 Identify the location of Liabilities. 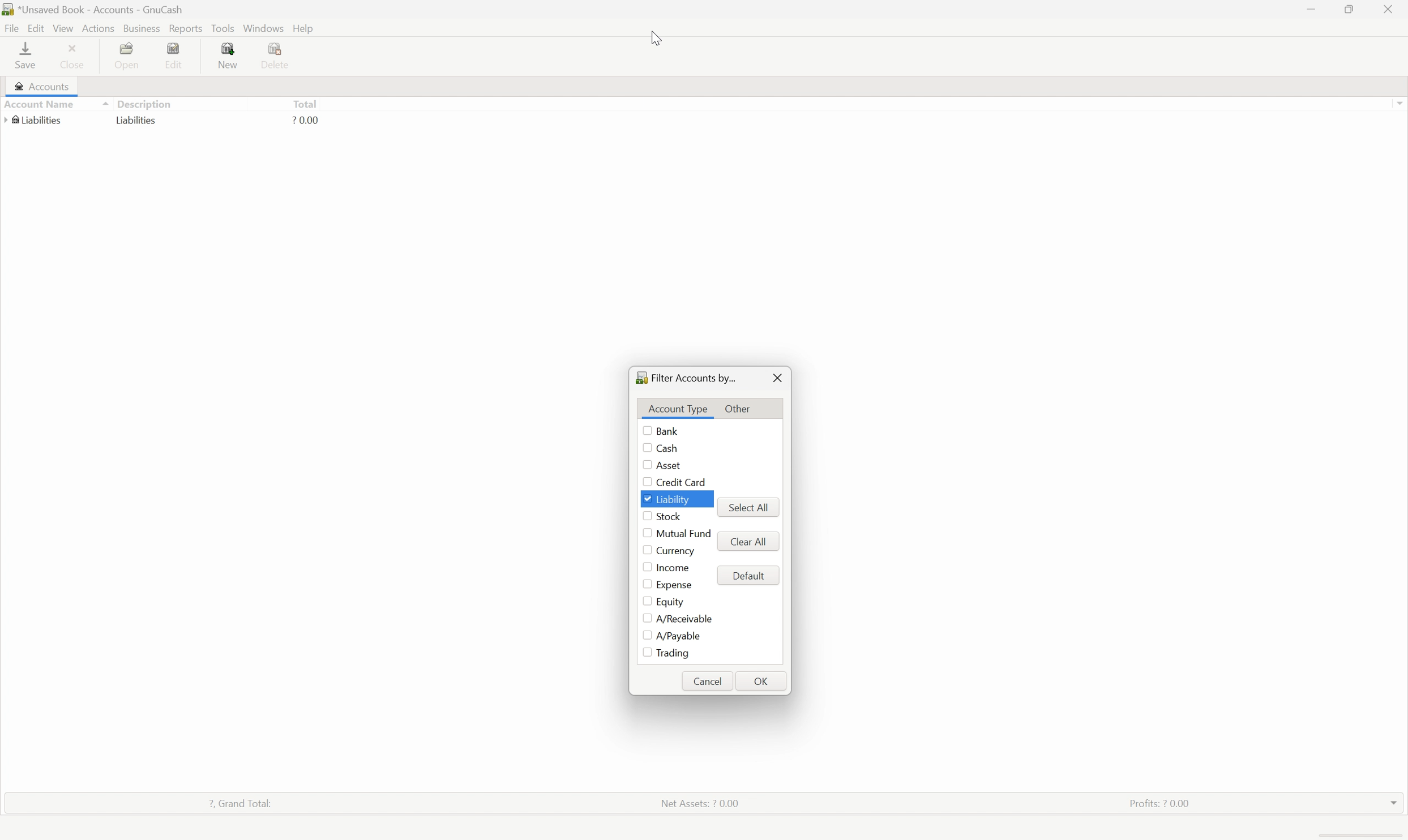
(137, 121).